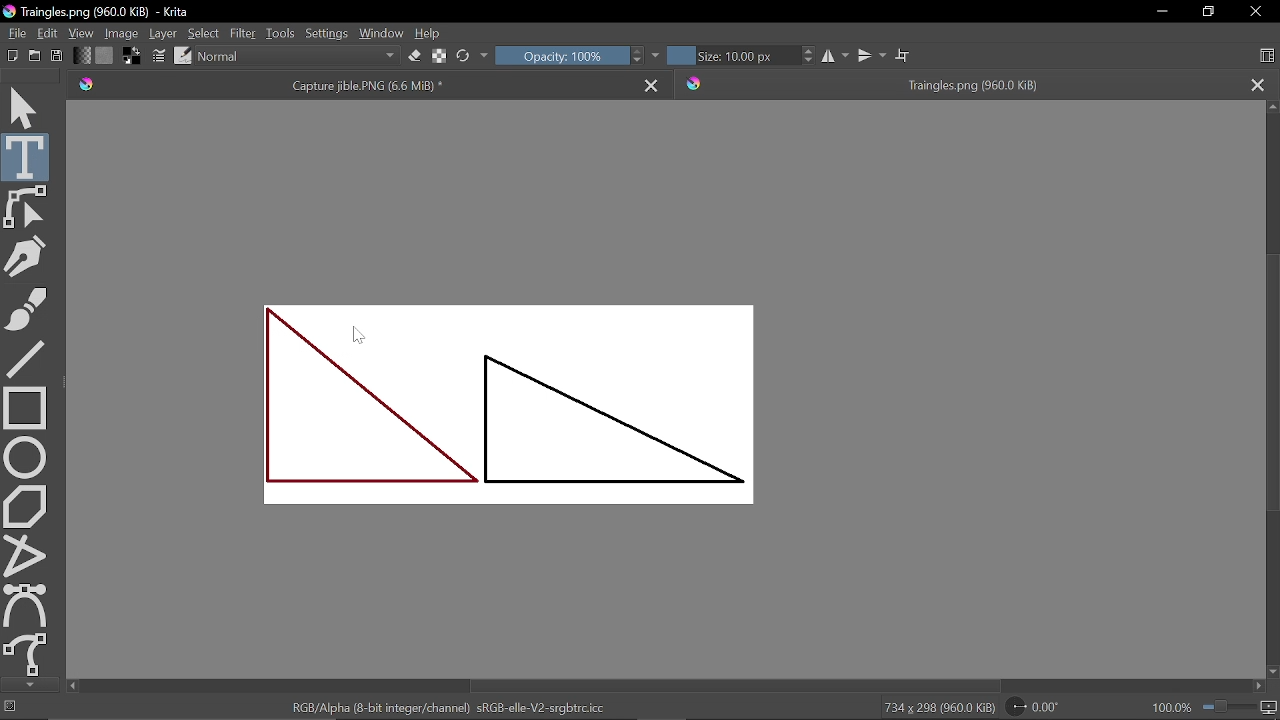 The width and height of the screenshot is (1280, 720). I want to click on Close other tab, so click(1257, 84).